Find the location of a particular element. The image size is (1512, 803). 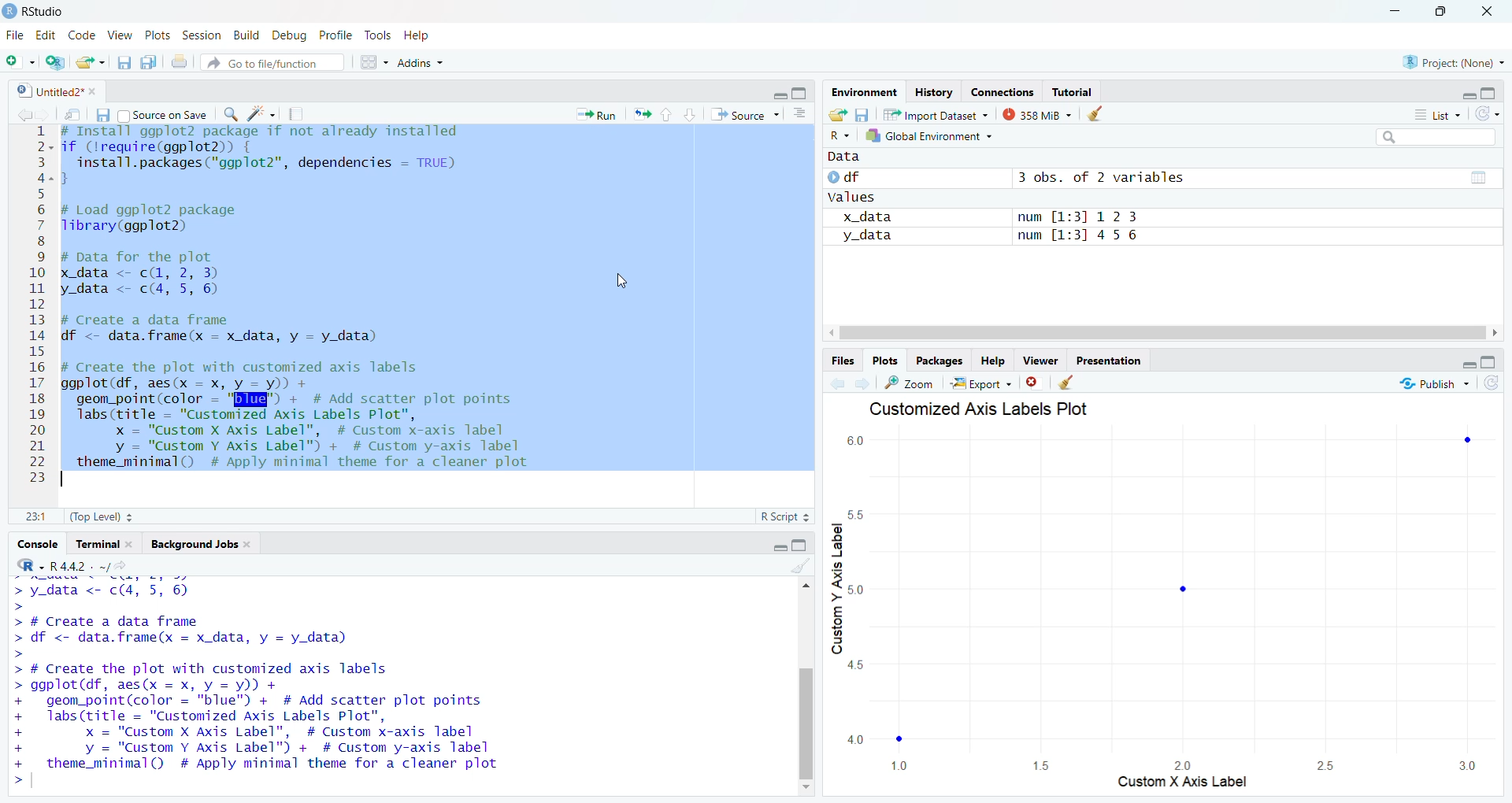

Connections is located at coordinates (1001, 91).